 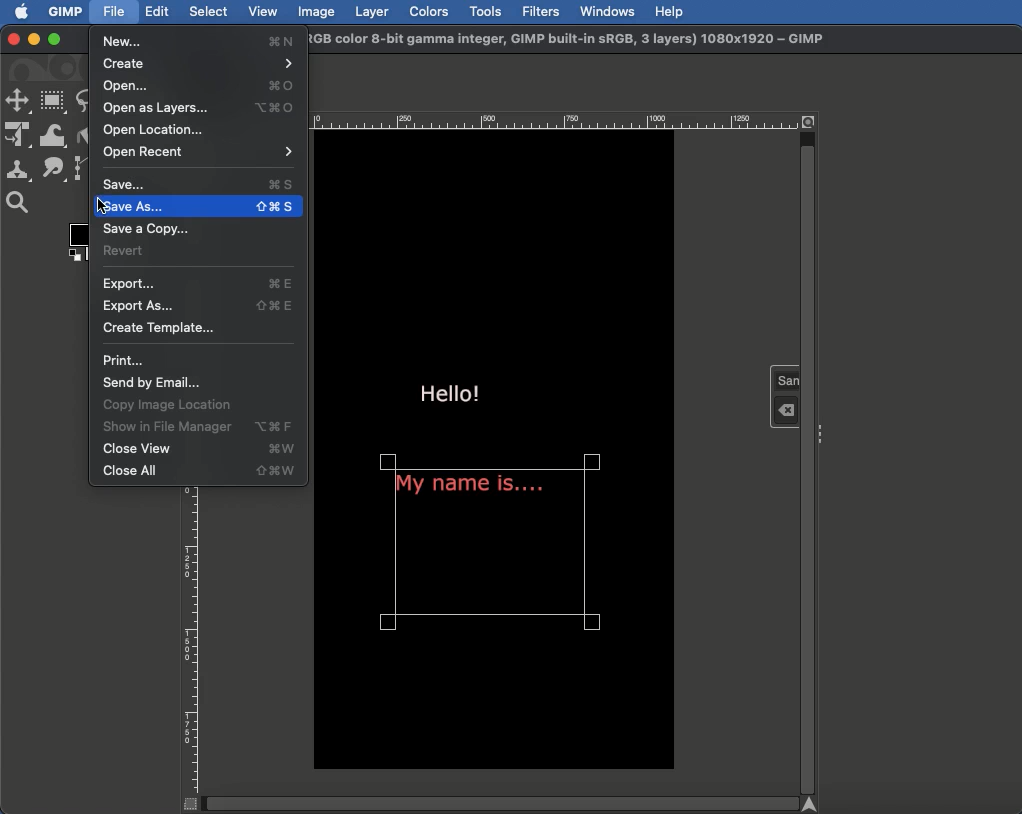 I want to click on Save as, so click(x=196, y=208).